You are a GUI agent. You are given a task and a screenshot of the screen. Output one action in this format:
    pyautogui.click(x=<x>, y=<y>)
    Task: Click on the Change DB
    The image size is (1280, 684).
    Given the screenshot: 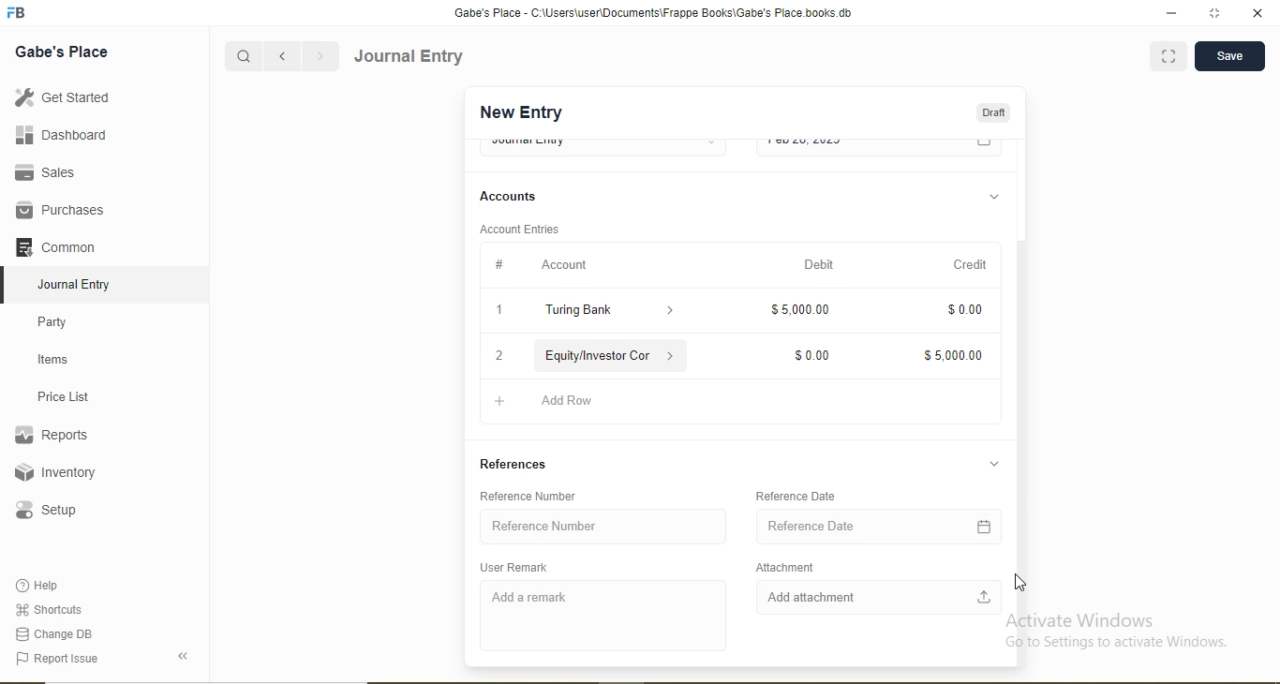 What is the action you would take?
    pyautogui.click(x=52, y=635)
    